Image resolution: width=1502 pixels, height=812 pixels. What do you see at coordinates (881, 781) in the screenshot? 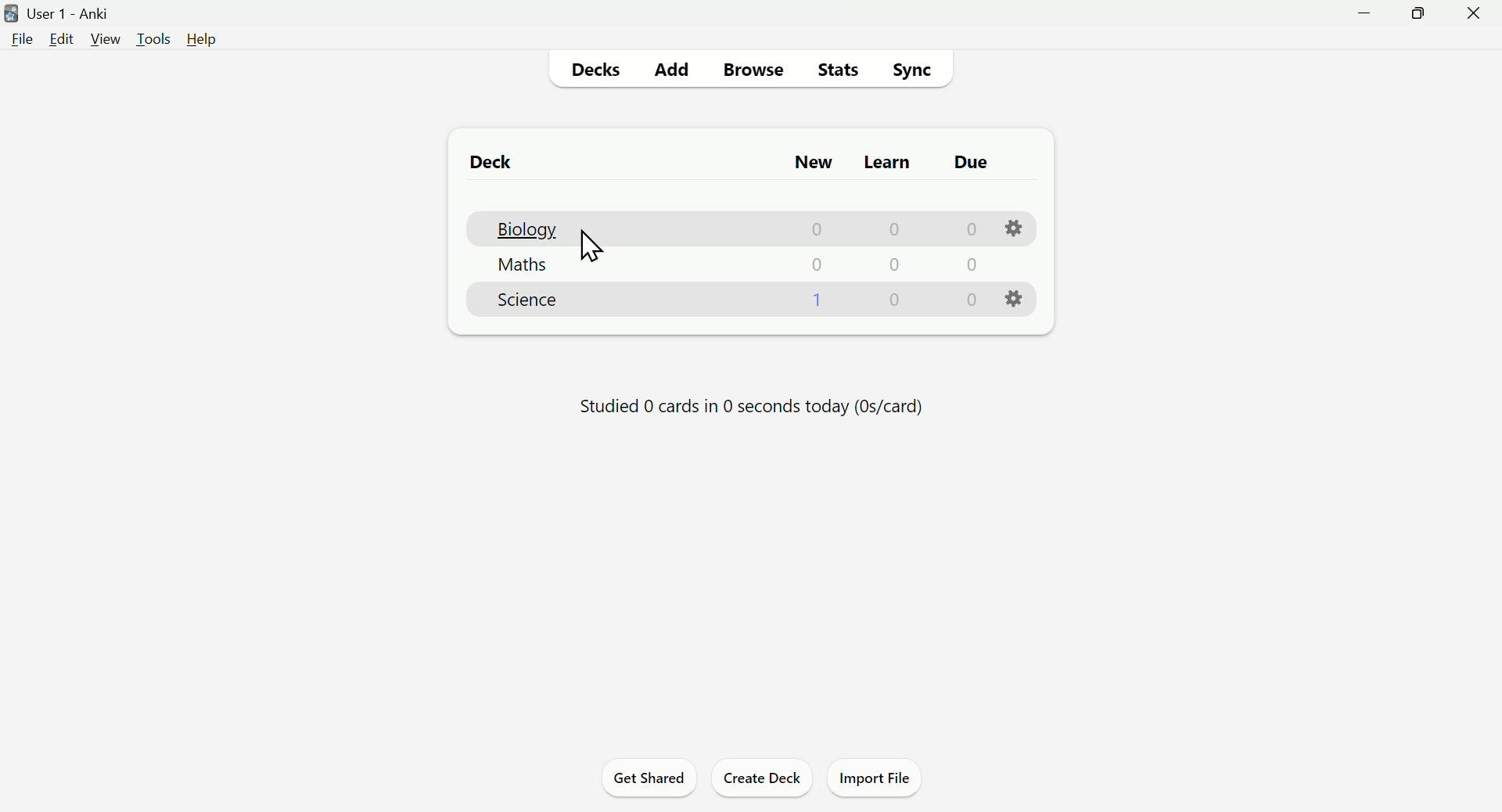
I see `Import File` at bounding box center [881, 781].